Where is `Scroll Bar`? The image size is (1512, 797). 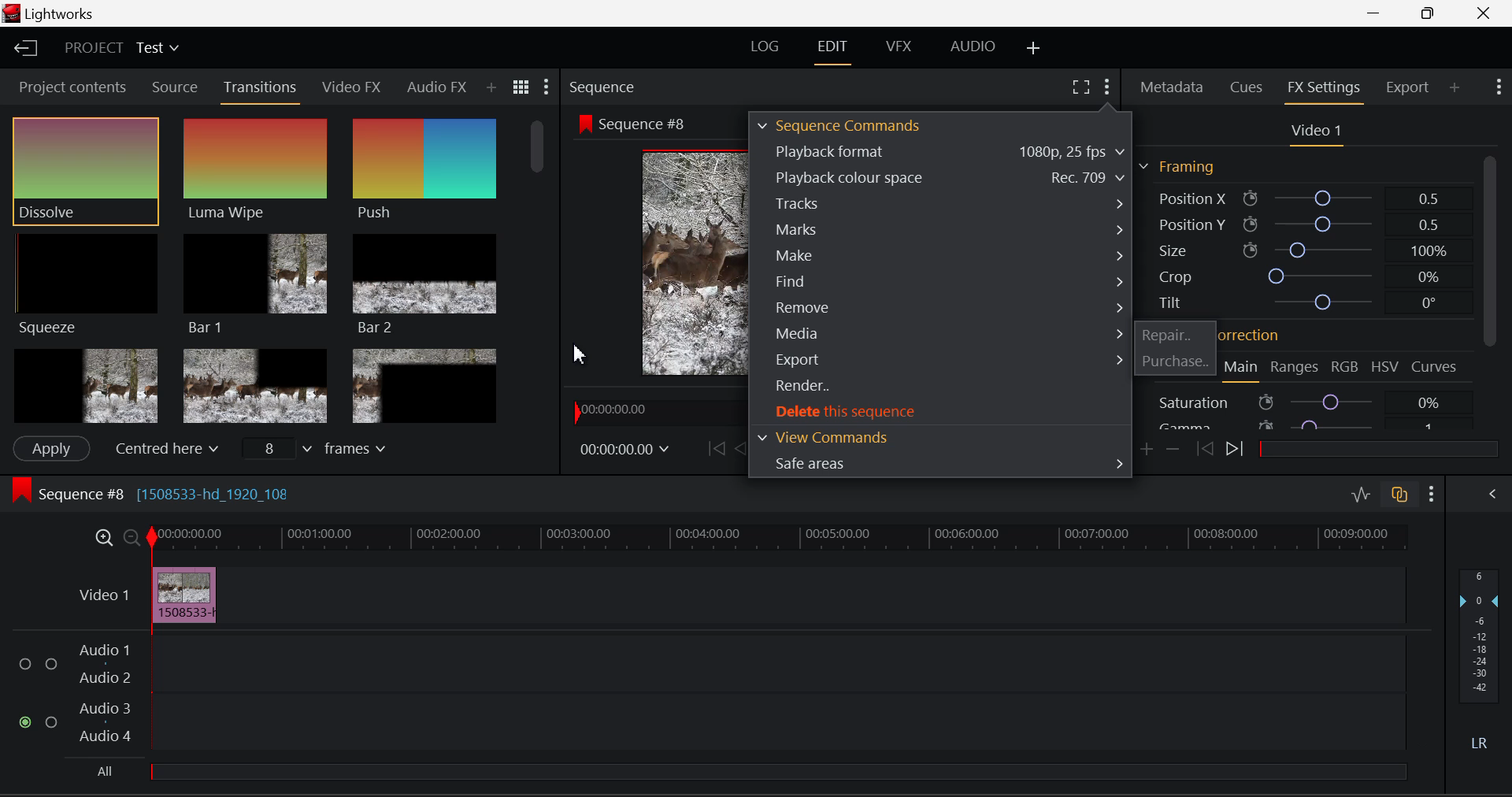
Scroll Bar is located at coordinates (540, 268).